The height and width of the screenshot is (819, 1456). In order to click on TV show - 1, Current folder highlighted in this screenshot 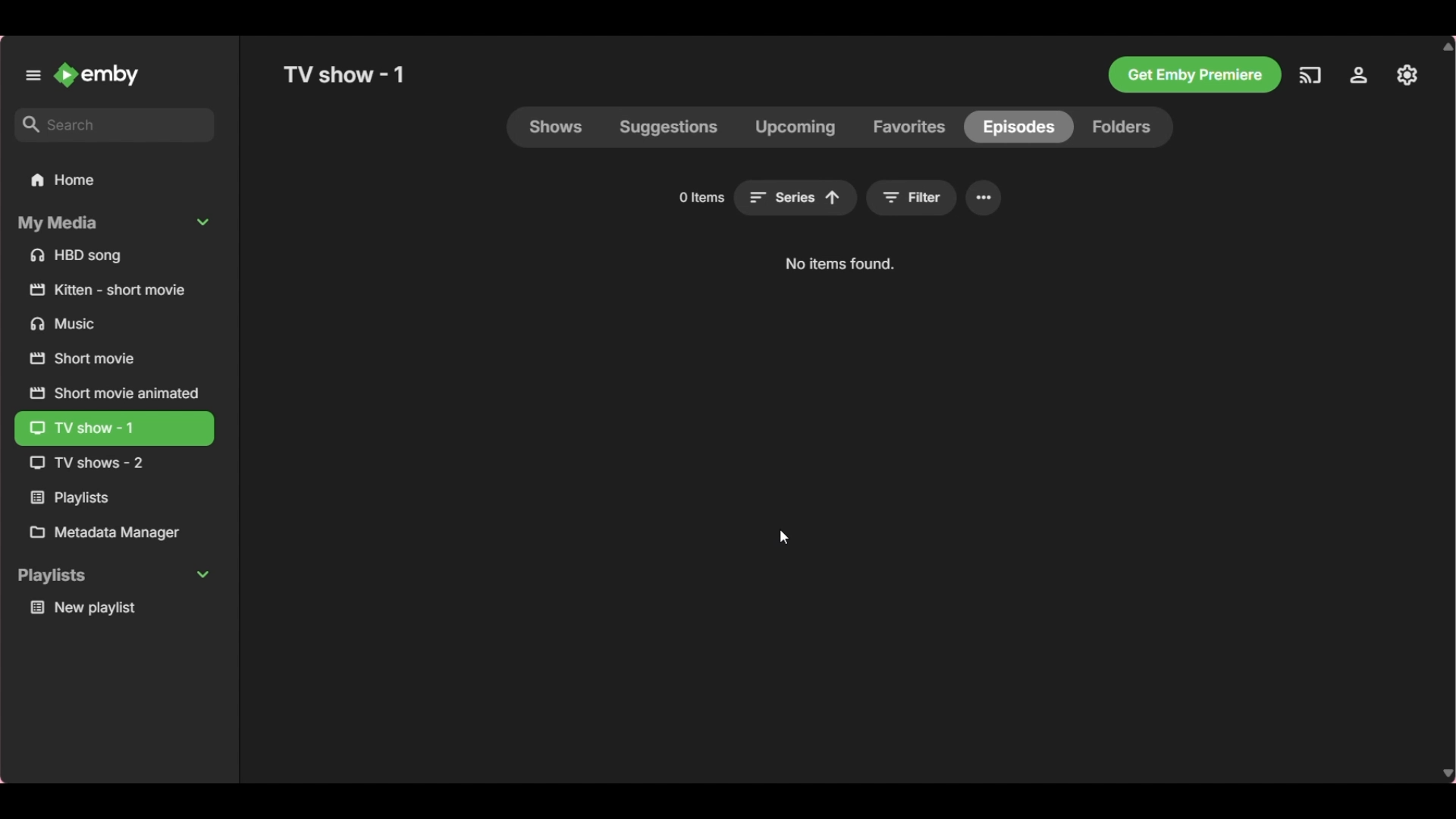, I will do `click(114, 429)`.